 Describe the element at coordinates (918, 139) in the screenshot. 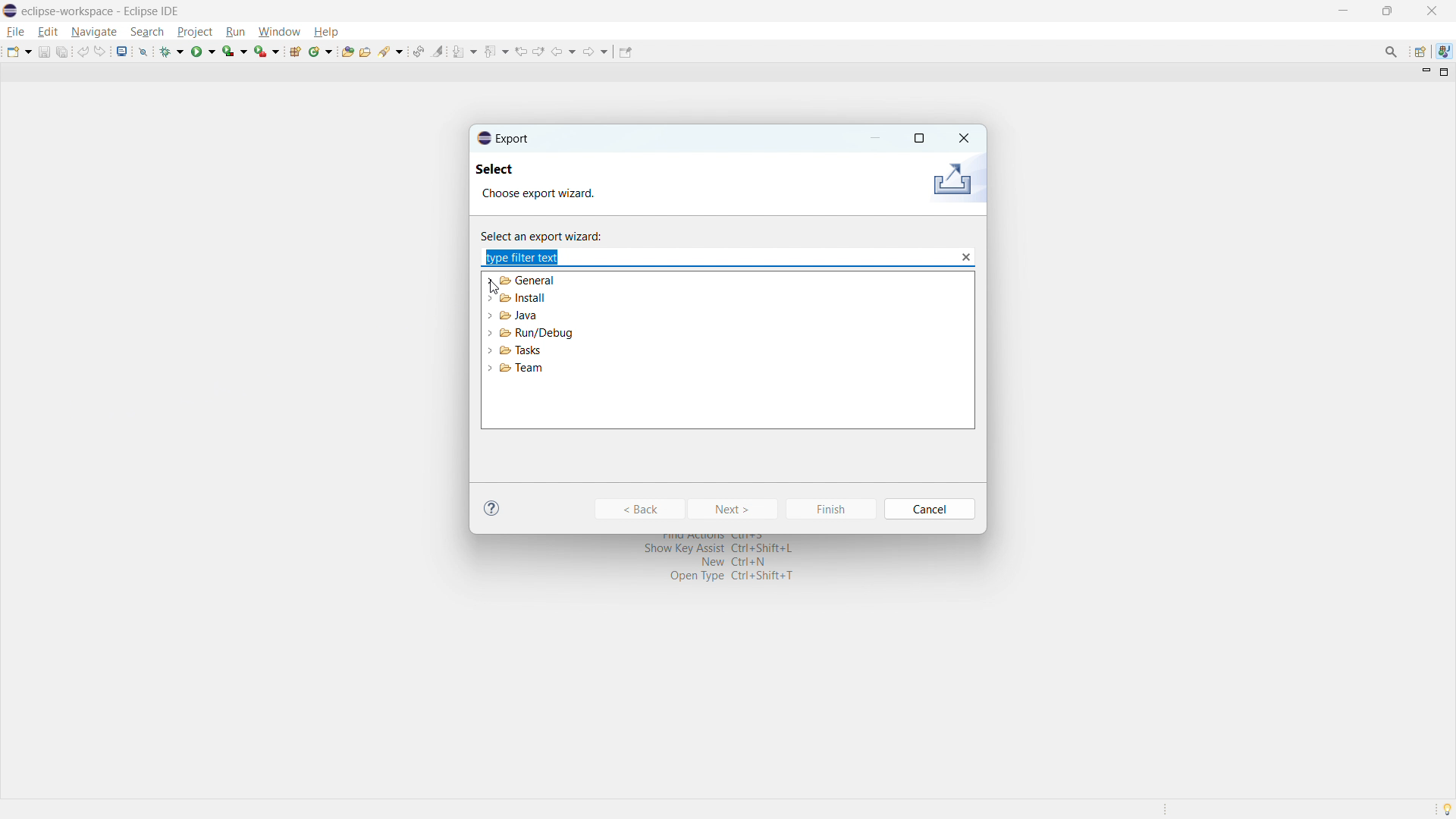

I see `maximize dialogbox` at that location.